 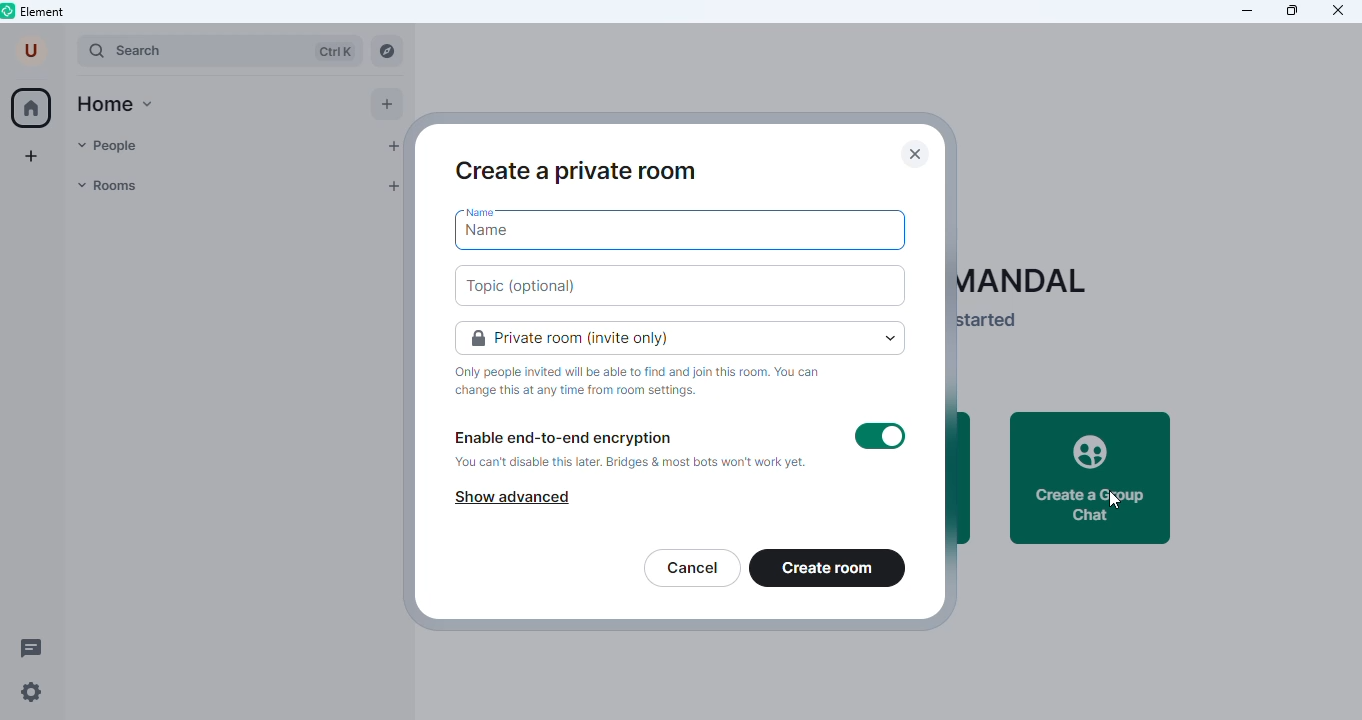 What do you see at coordinates (511, 499) in the screenshot?
I see `show advance` at bounding box center [511, 499].